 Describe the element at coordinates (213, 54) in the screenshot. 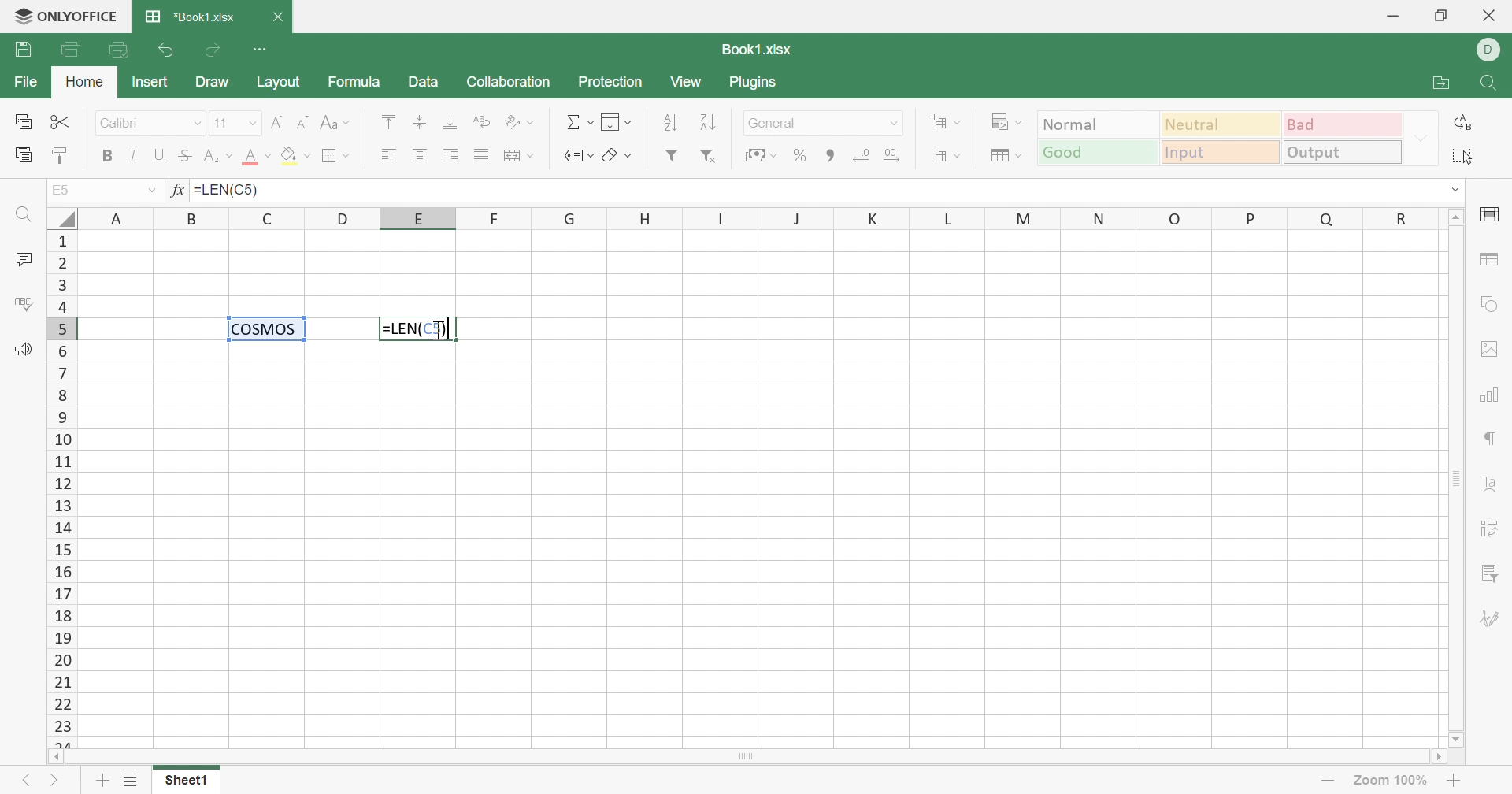

I see `Redo` at that location.